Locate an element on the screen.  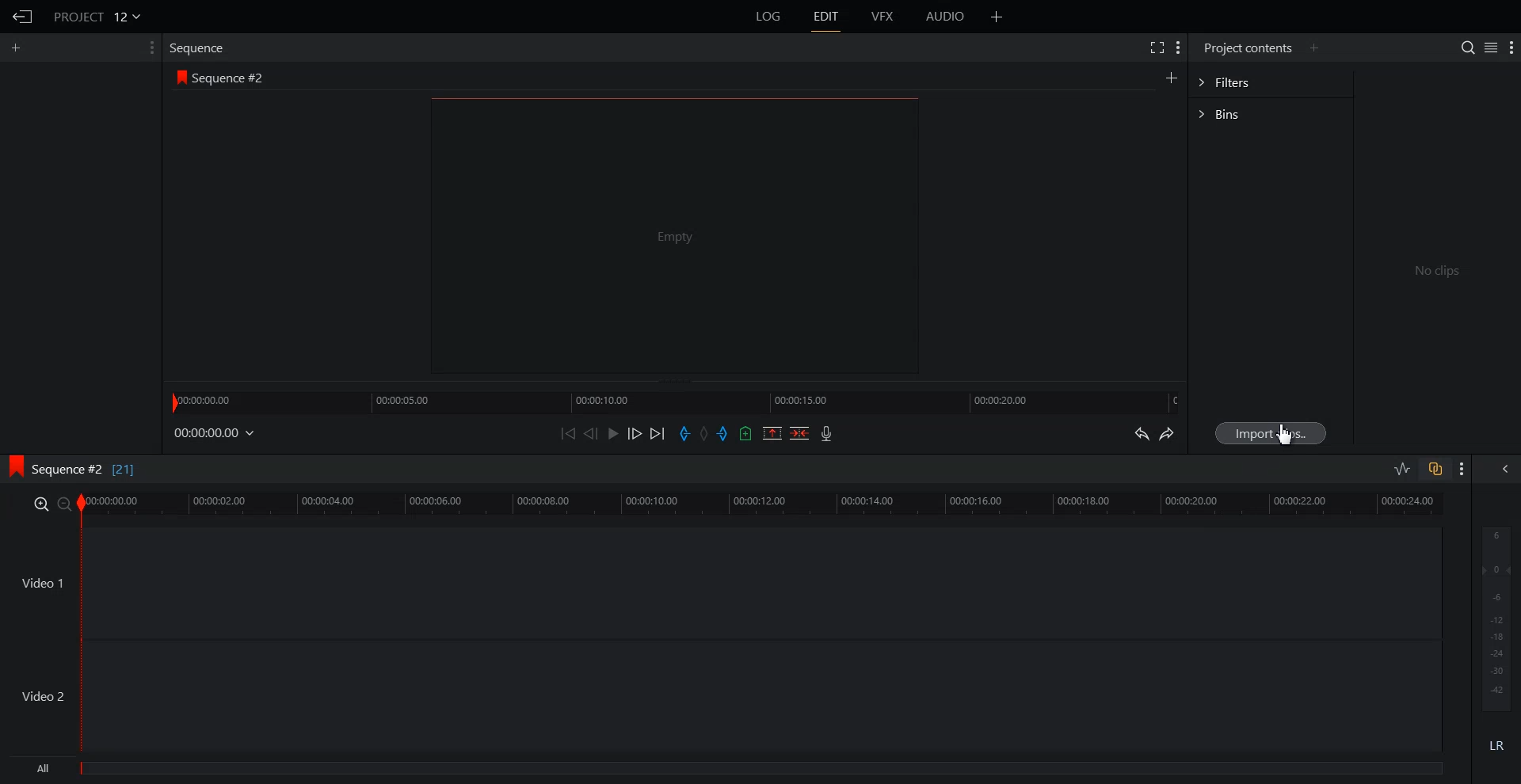
Zoom In and Out is located at coordinates (52, 504).